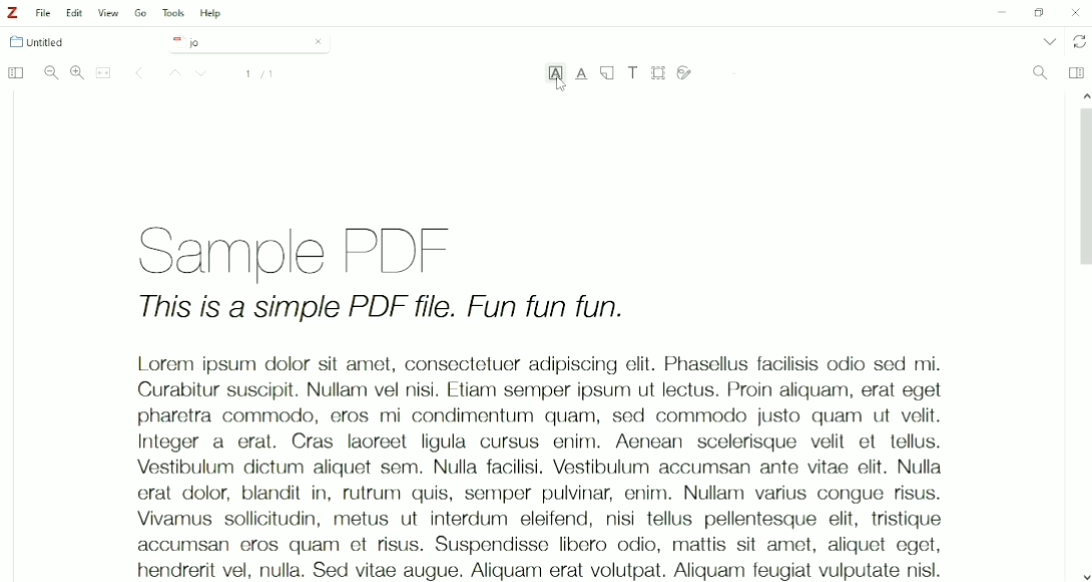  I want to click on Merge, so click(104, 73).